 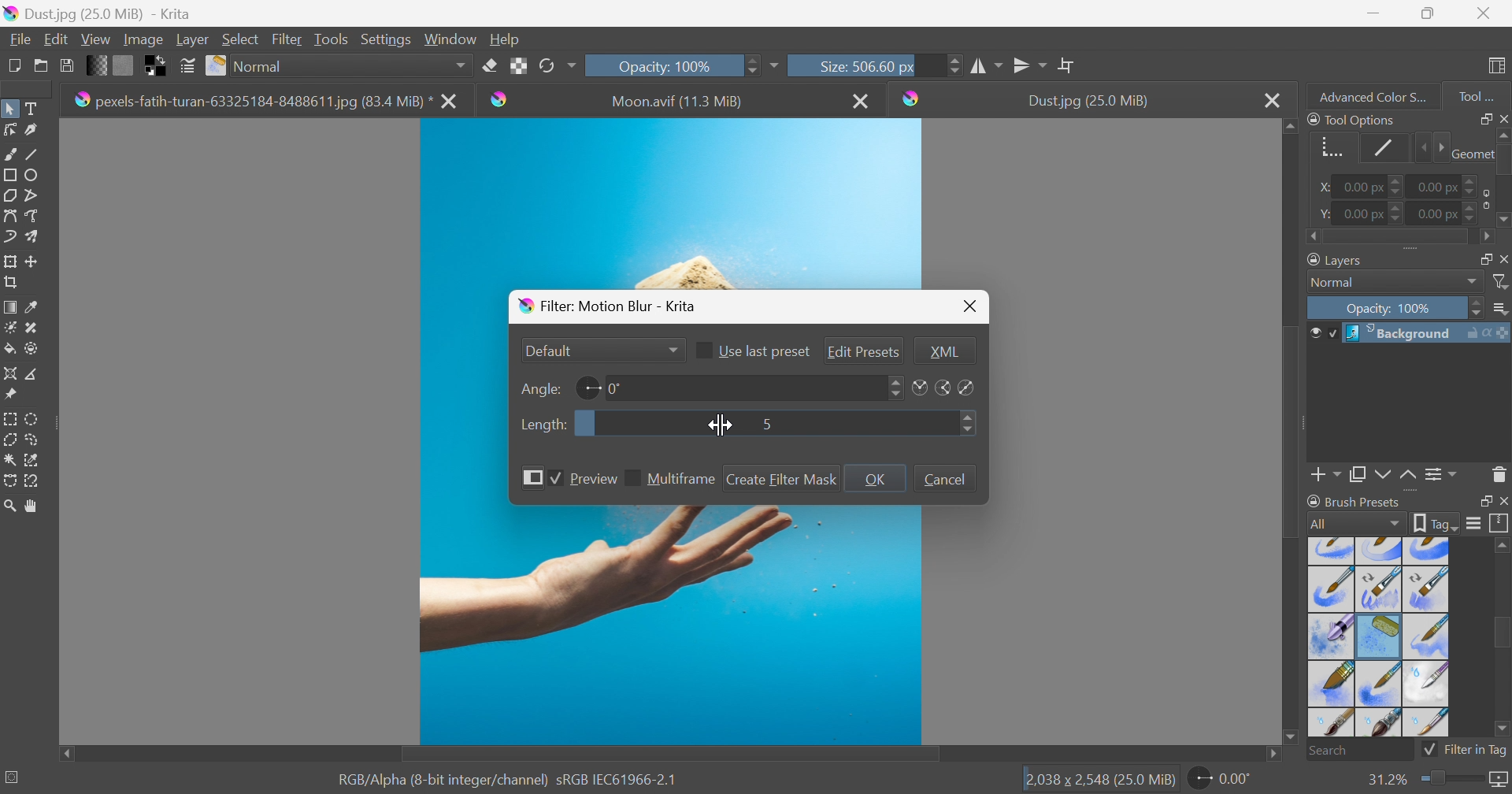 I want to click on Visible, so click(x=1321, y=333).